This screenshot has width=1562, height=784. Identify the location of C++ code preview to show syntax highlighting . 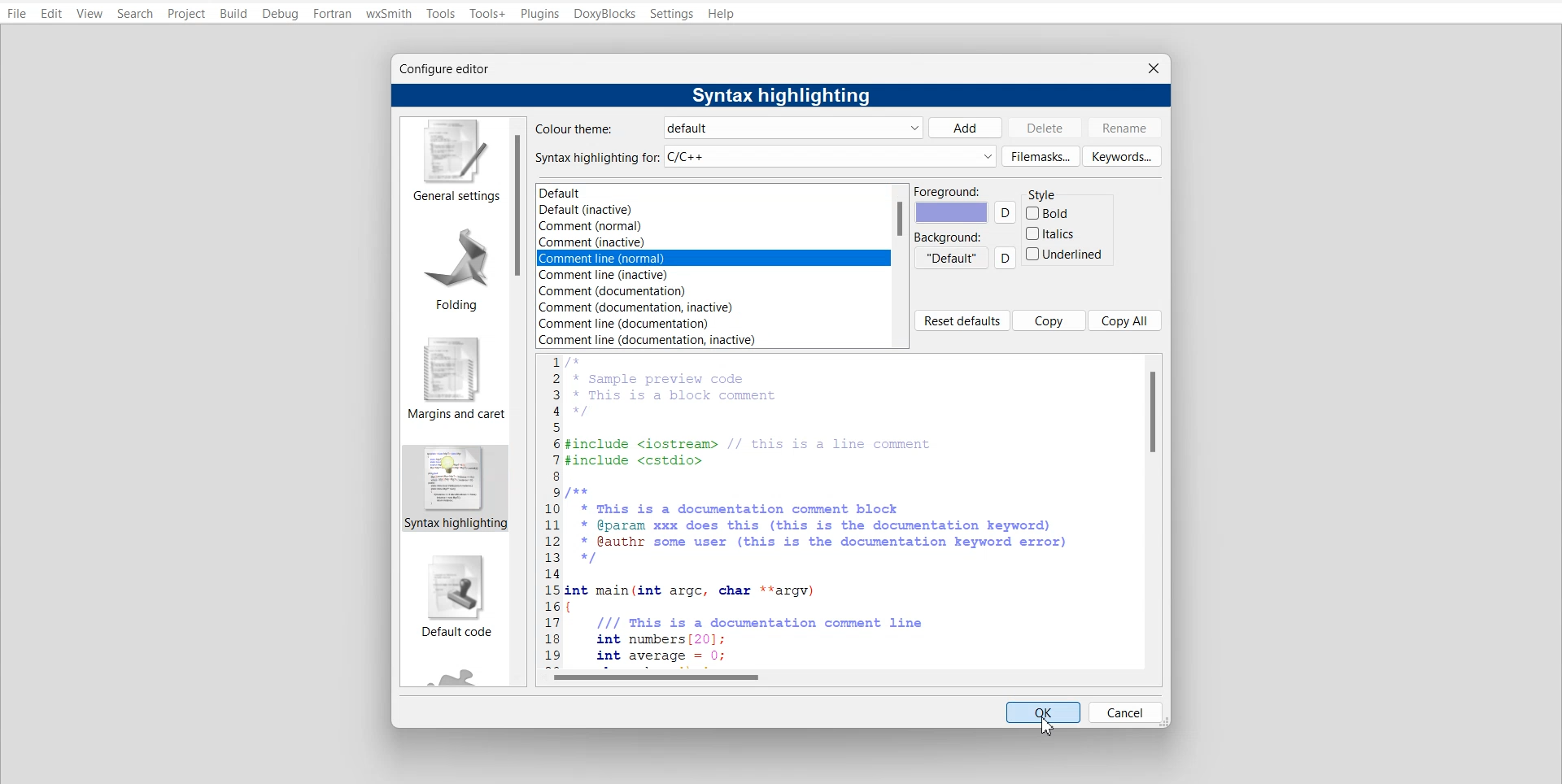
(836, 511).